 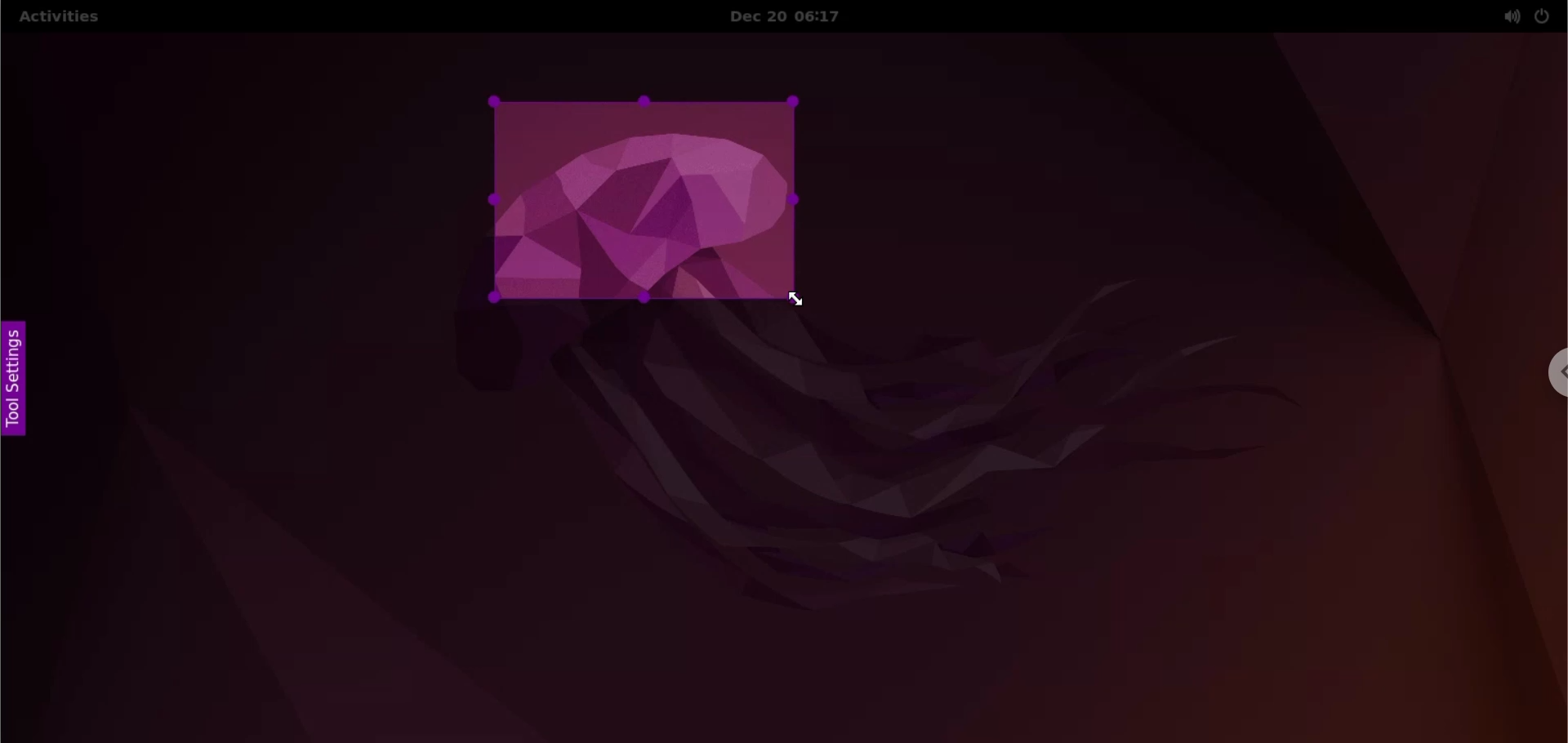 I want to click on chrome options, so click(x=1554, y=372).